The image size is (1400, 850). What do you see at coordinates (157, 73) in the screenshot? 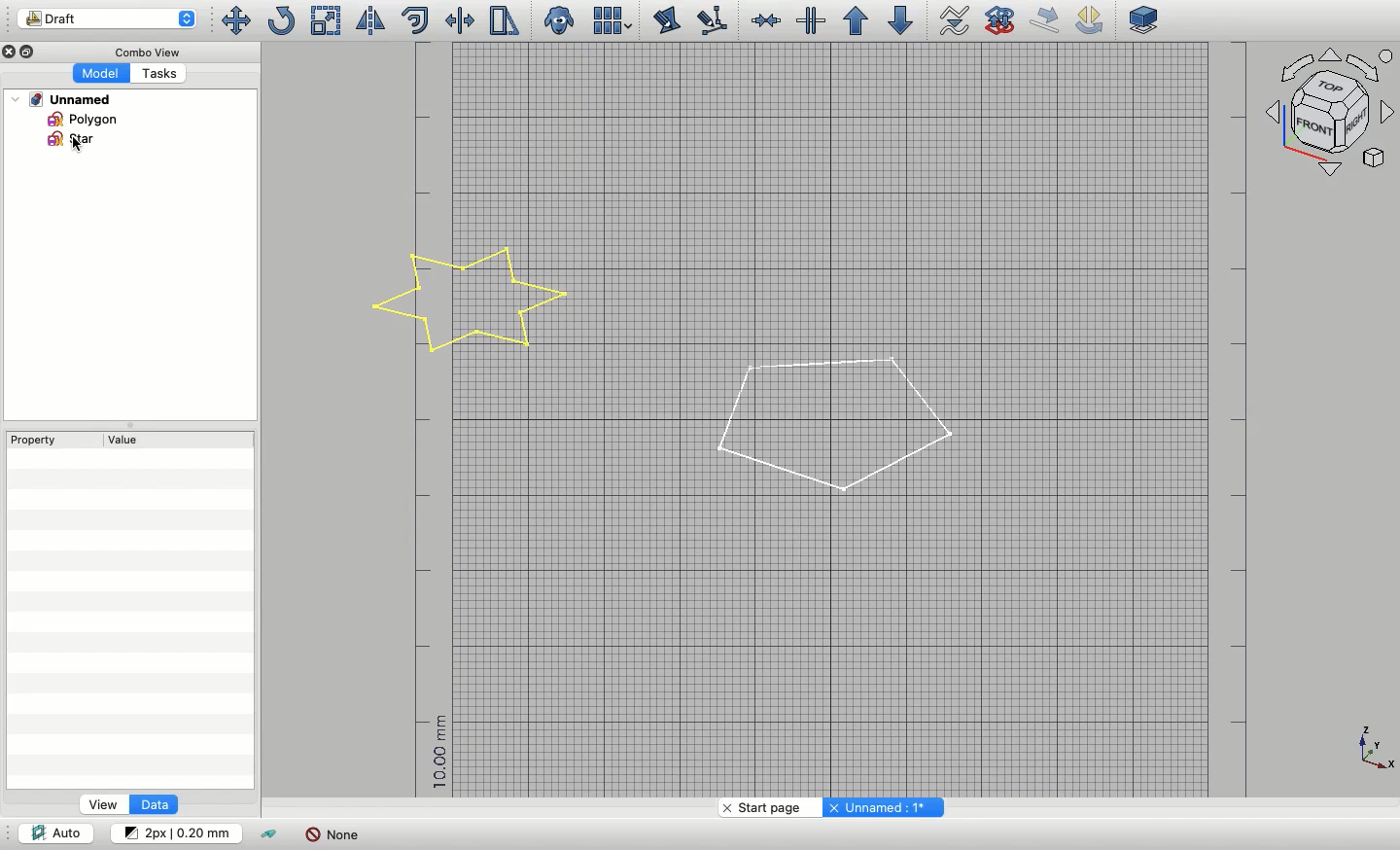
I see `Tasks` at bounding box center [157, 73].